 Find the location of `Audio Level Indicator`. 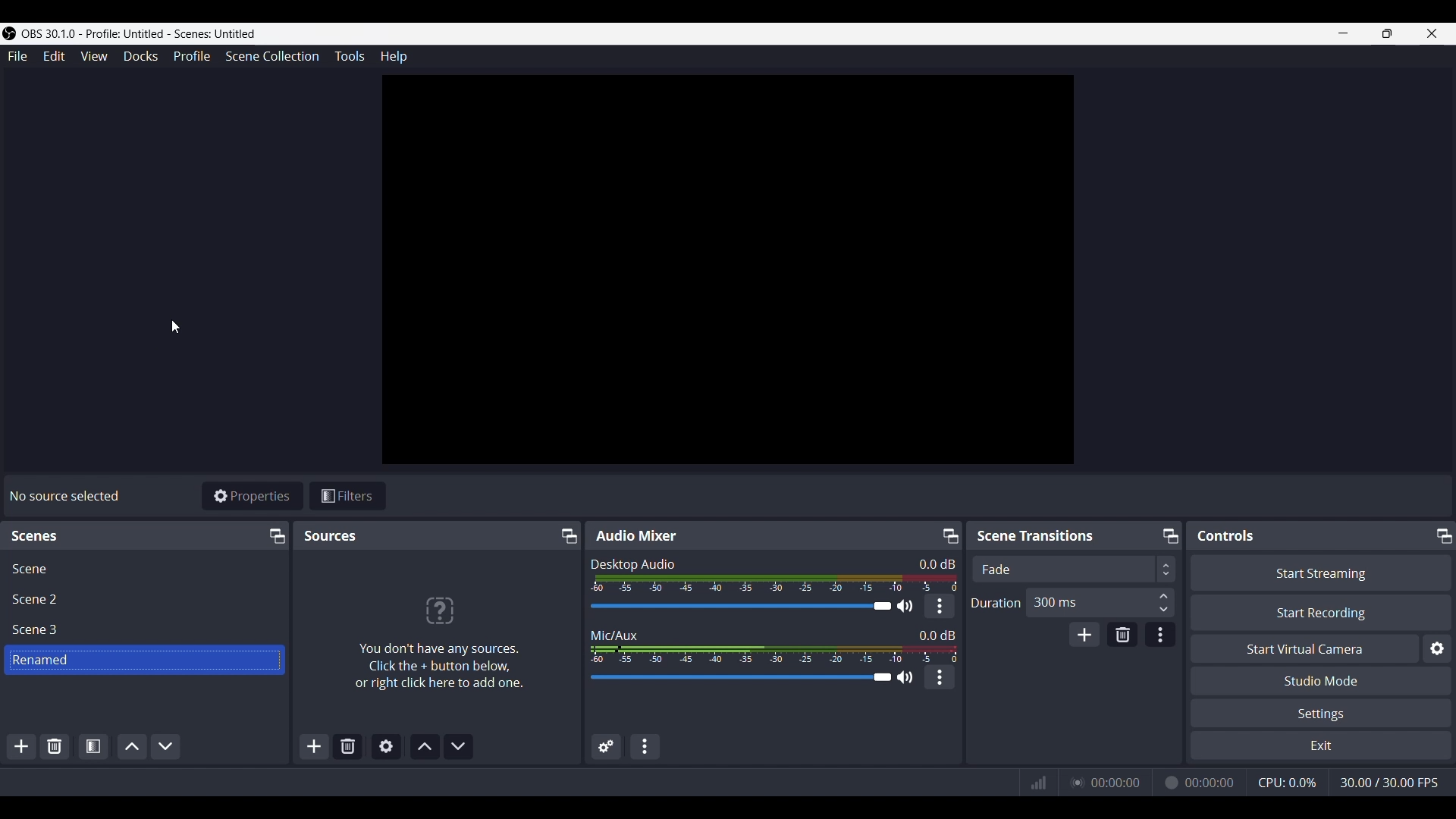

Audio Level Indicator is located at coordinates (937, 634).